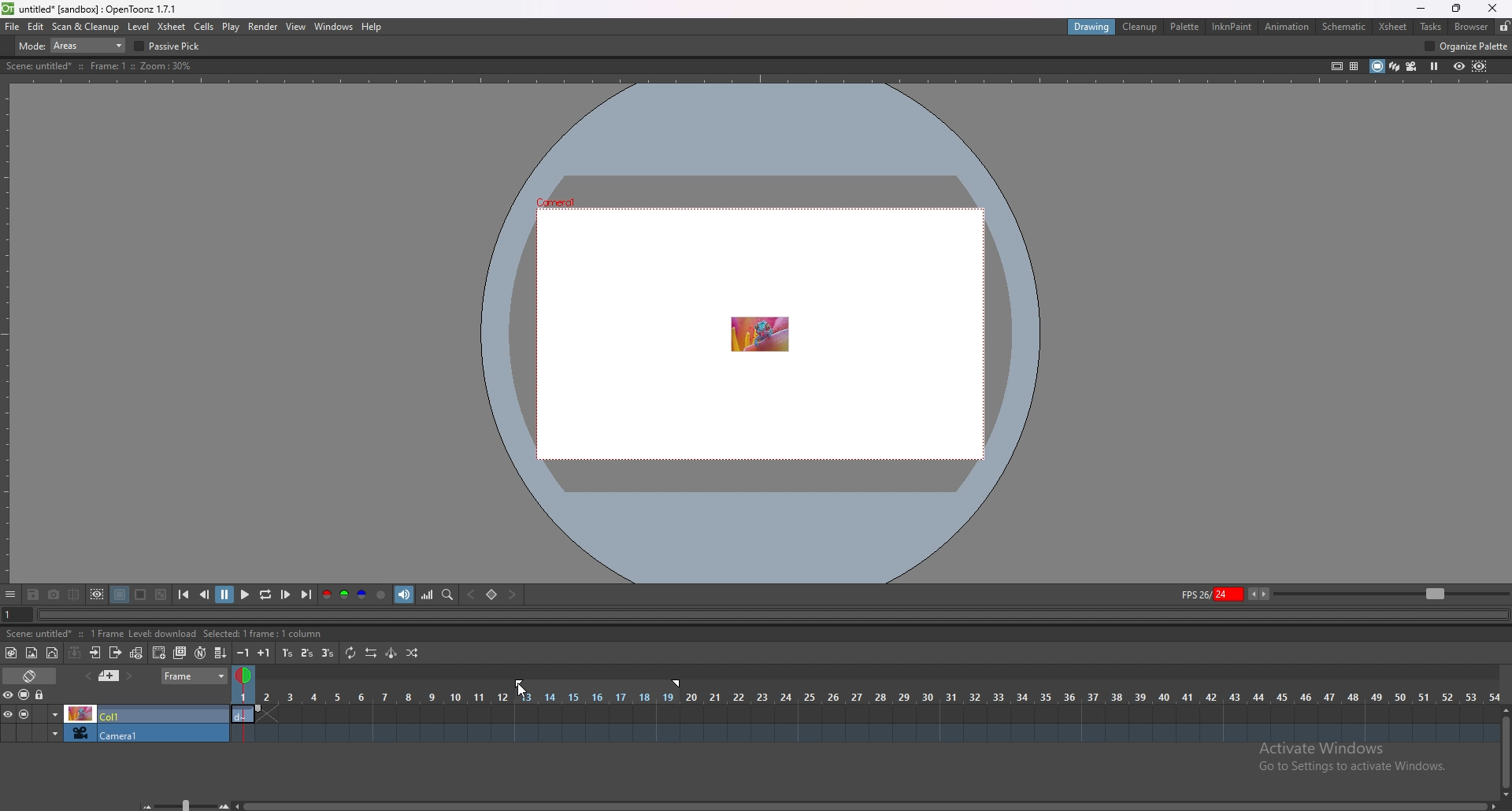 Image resolution: width=1512 pixels, height=811 pixels. I want to click on frame, so click(195, 676).